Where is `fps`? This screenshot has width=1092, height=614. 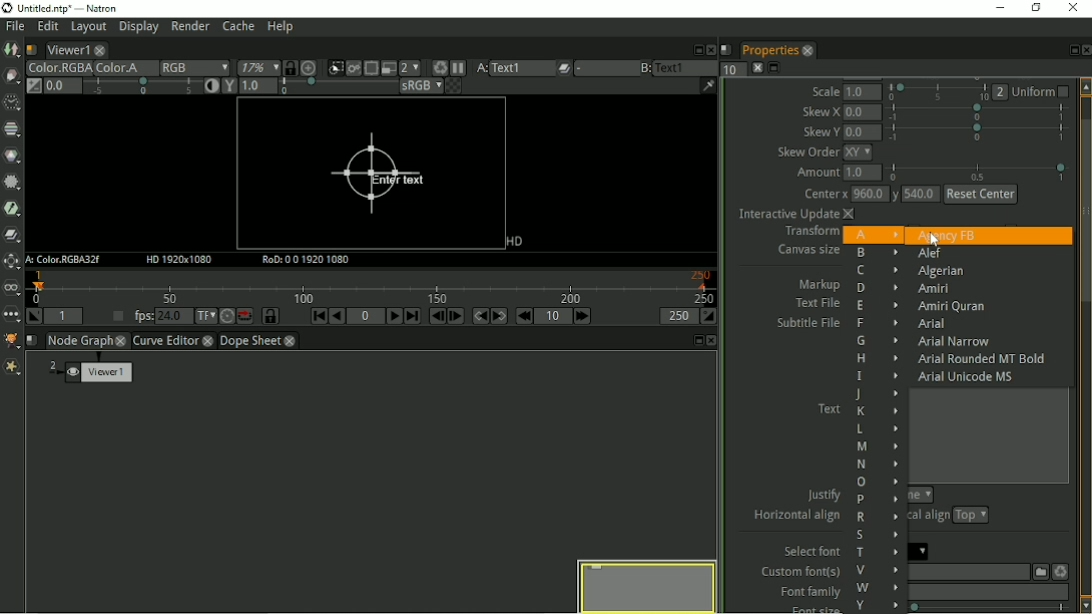 fps is located at coordinates (158, 315).